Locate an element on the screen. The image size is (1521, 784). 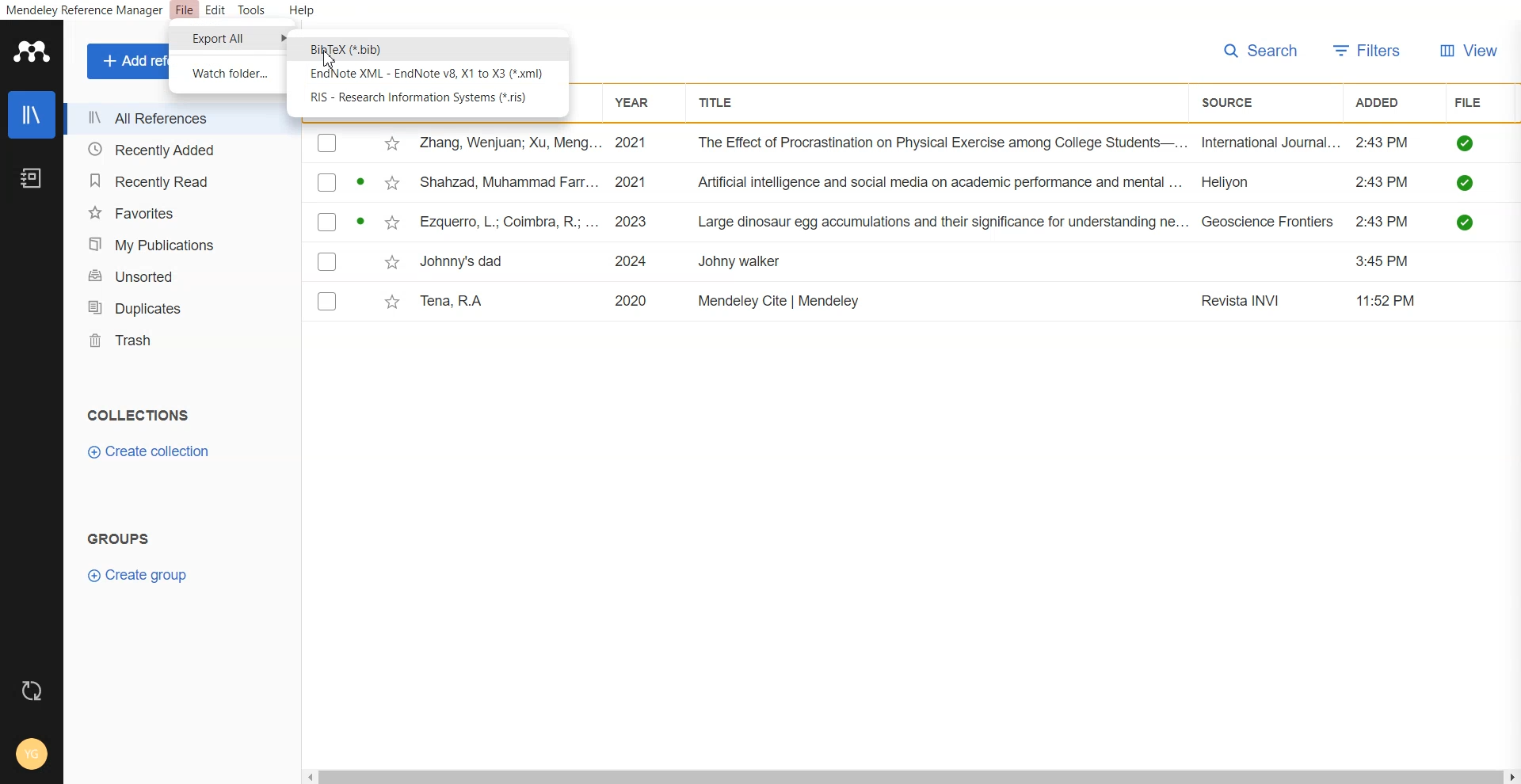
Unsorted is located at coordinates (177, 276).